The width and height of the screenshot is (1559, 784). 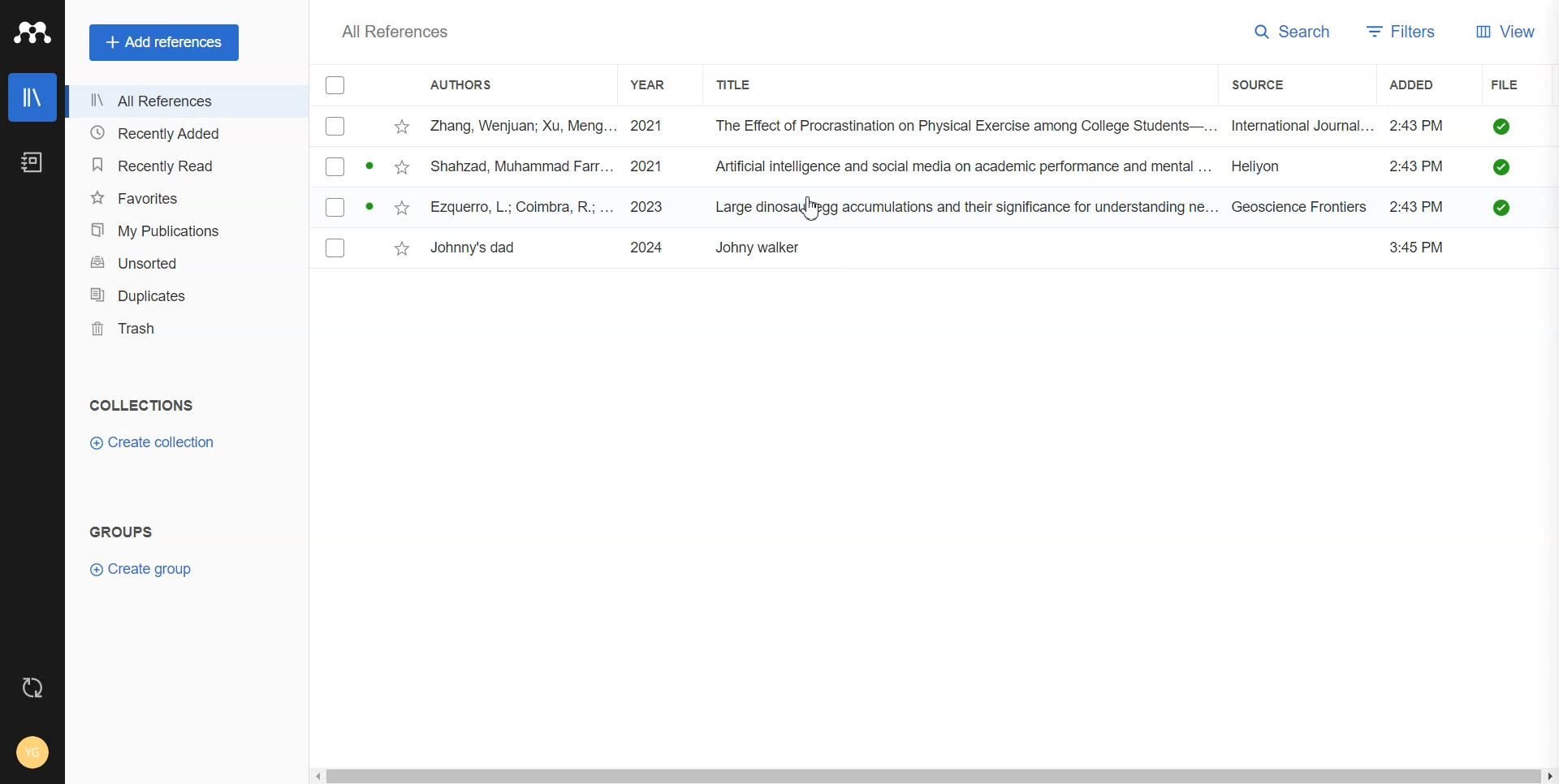 I want to click on Ezquetto, L; Coimbra, so click(x=523, y=208).